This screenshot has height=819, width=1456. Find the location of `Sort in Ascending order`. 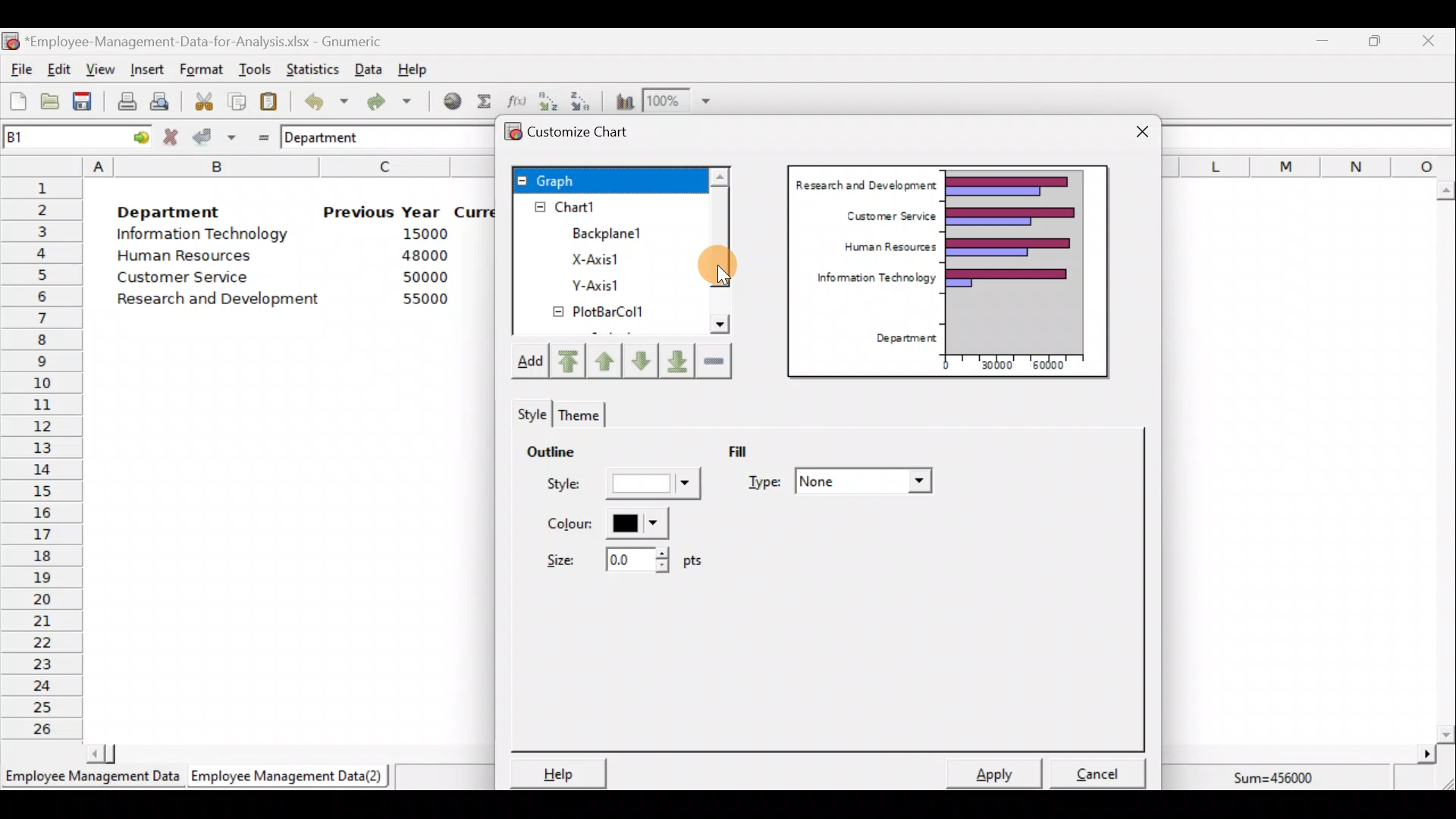

Sort in Ascending order is located at coordinates (548, 101).